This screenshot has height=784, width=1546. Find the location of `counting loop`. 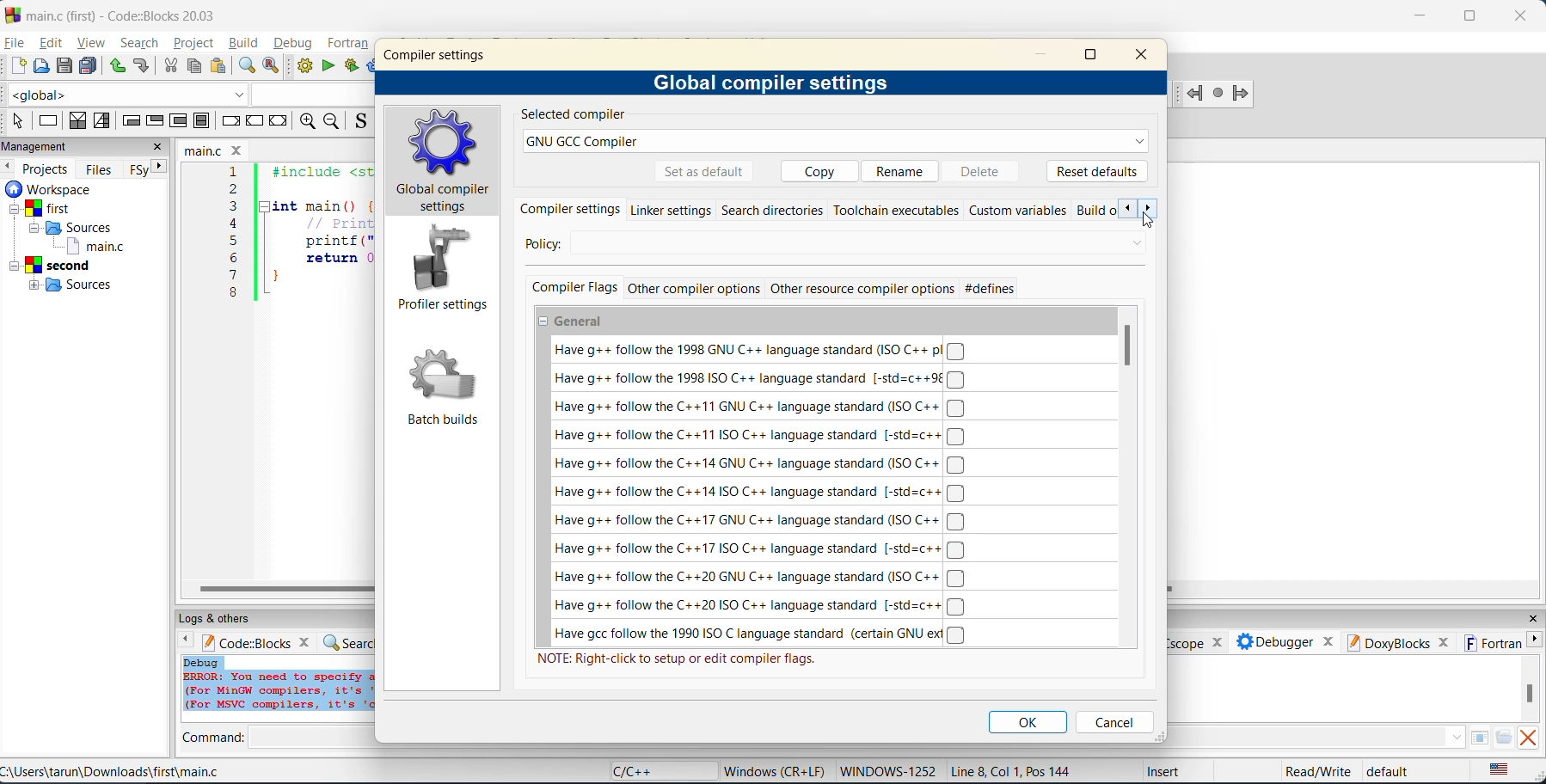

counting loop is located at coordinates (180, 123).